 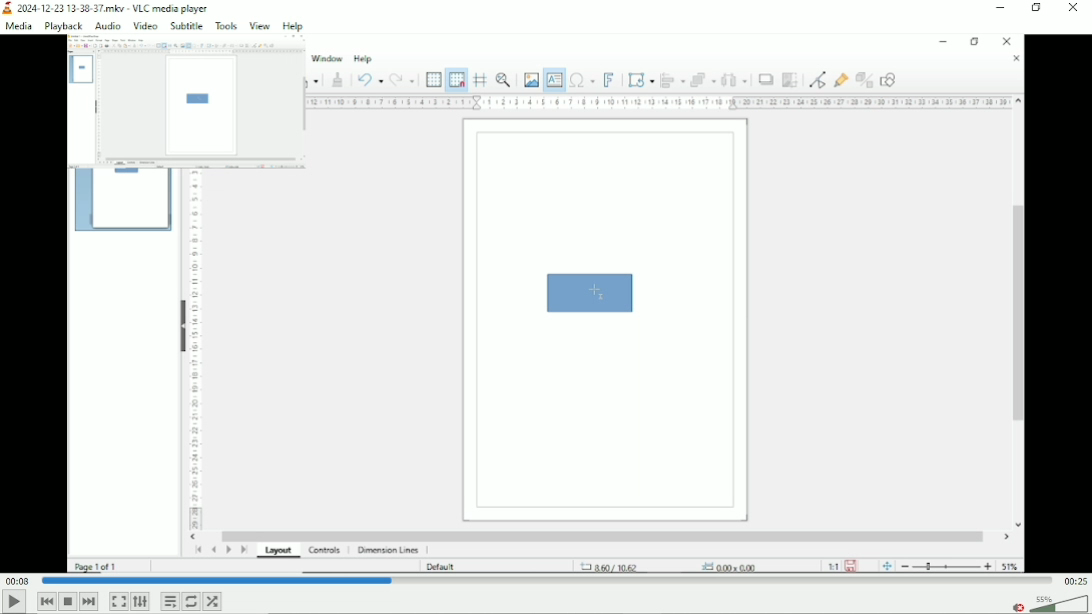 What do you see at coordinates (169, 601) in the screenshot?
I see `Toggle playlist` at bounding box center [169, 601].